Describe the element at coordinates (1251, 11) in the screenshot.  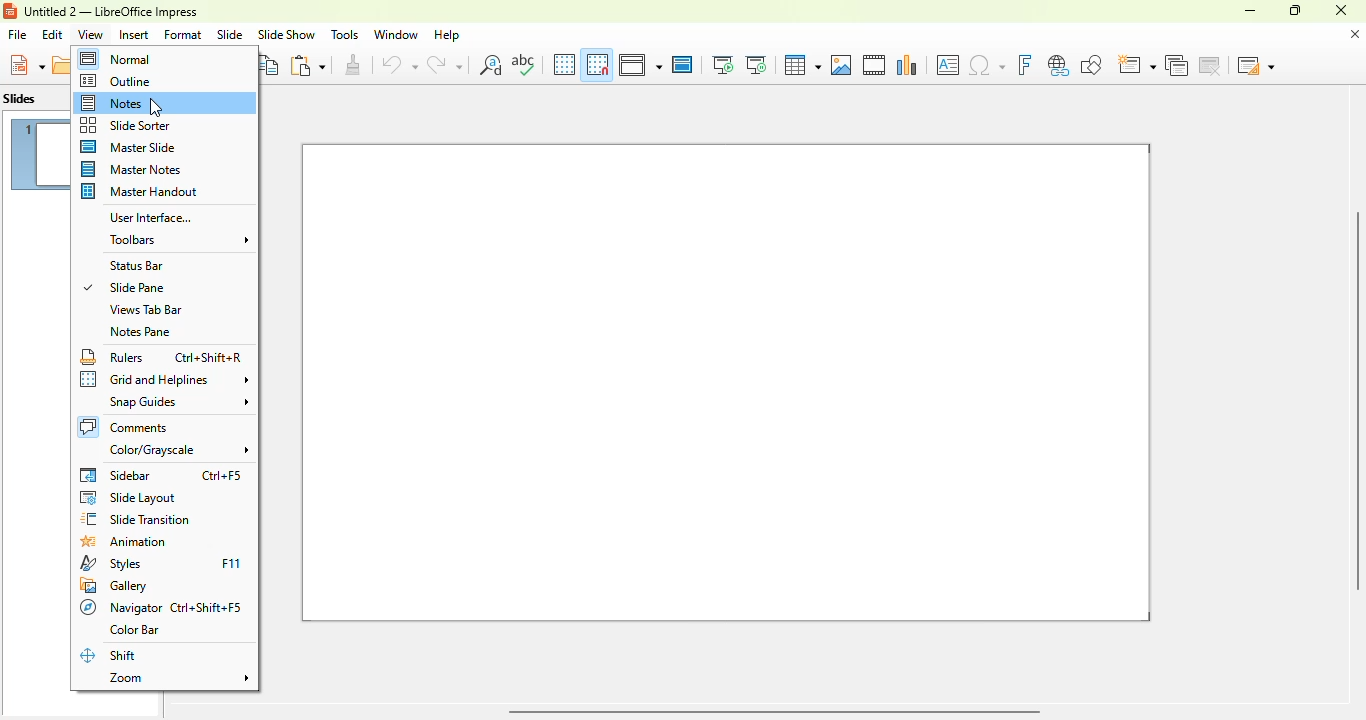
I see `minimize` at that location.